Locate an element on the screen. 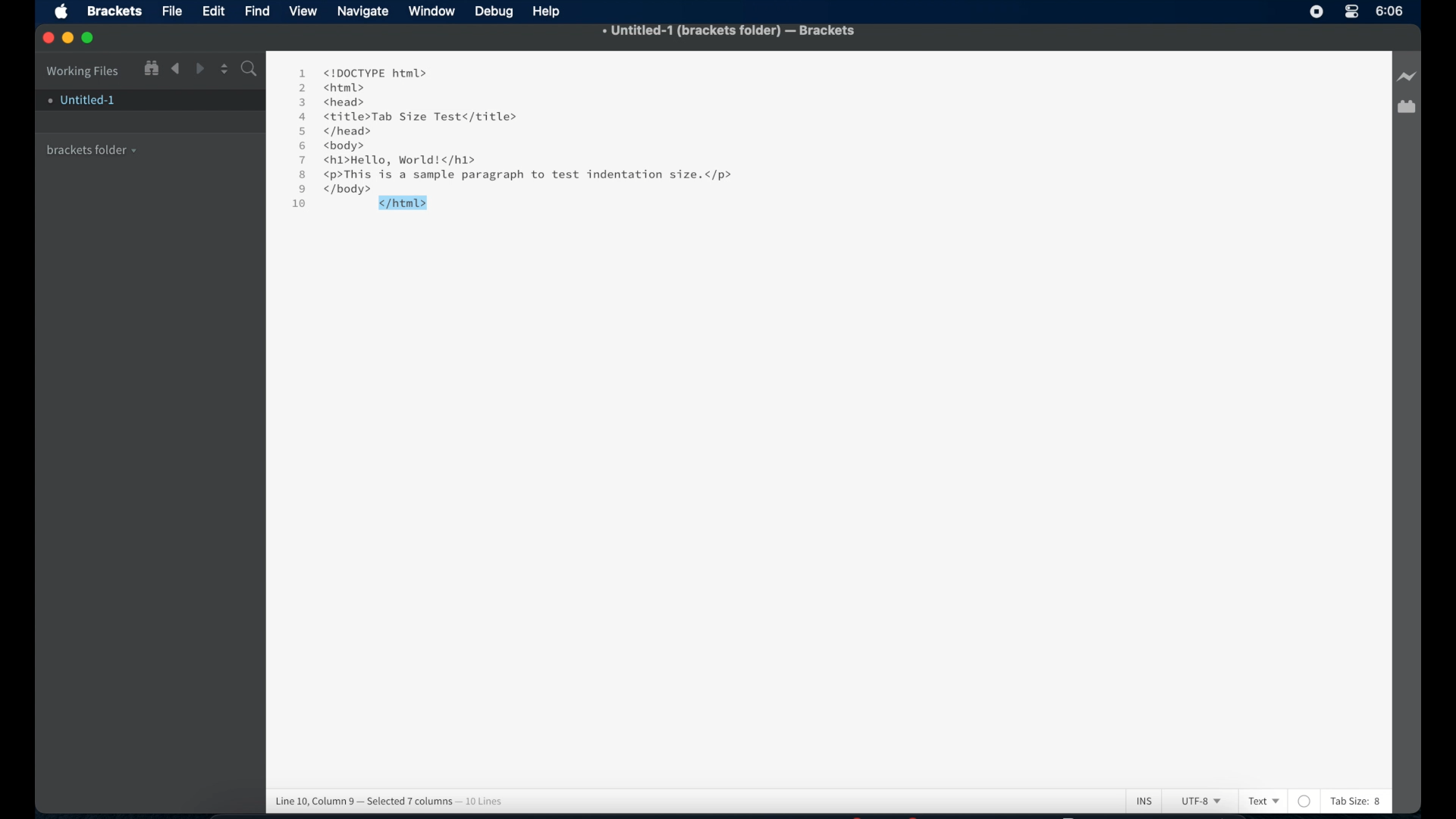  Debug is located at coordinates (496, 12).